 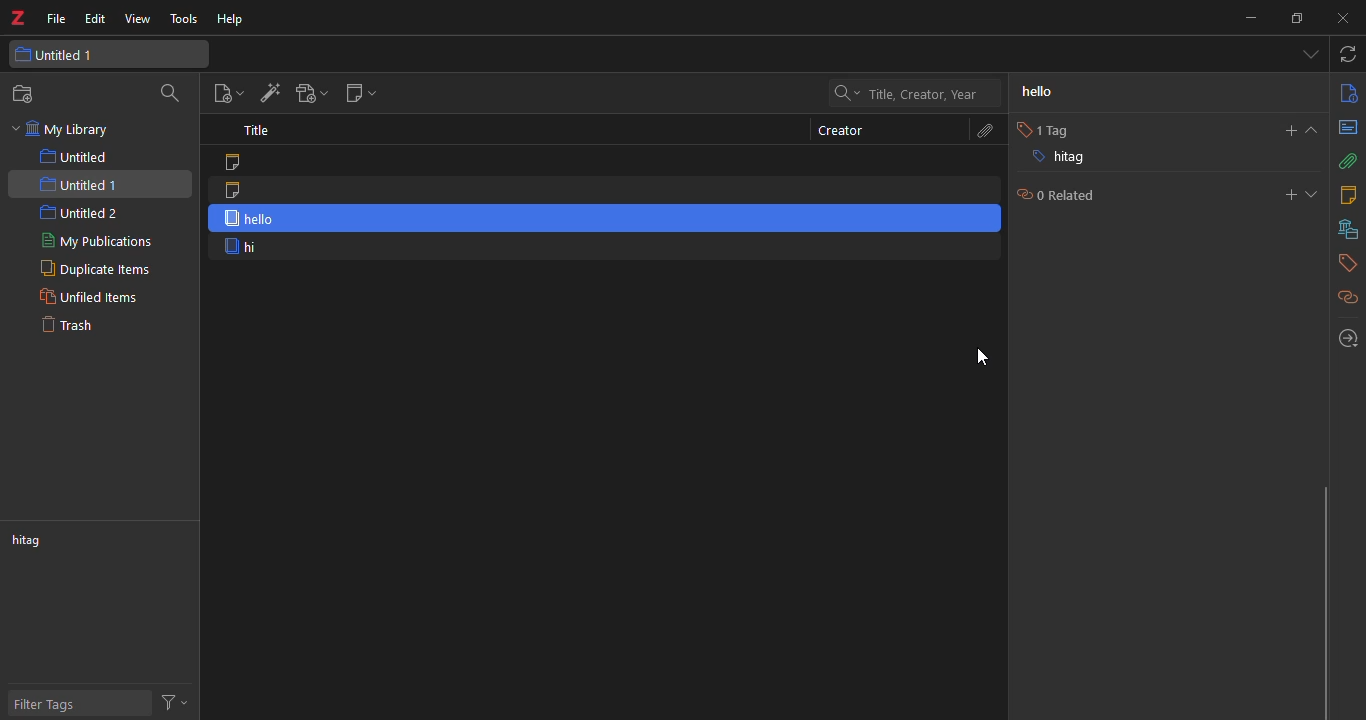 What do you see at coordinates (95, 19) in the screenshot?
I see `edit` at bounding box center [95, 19].